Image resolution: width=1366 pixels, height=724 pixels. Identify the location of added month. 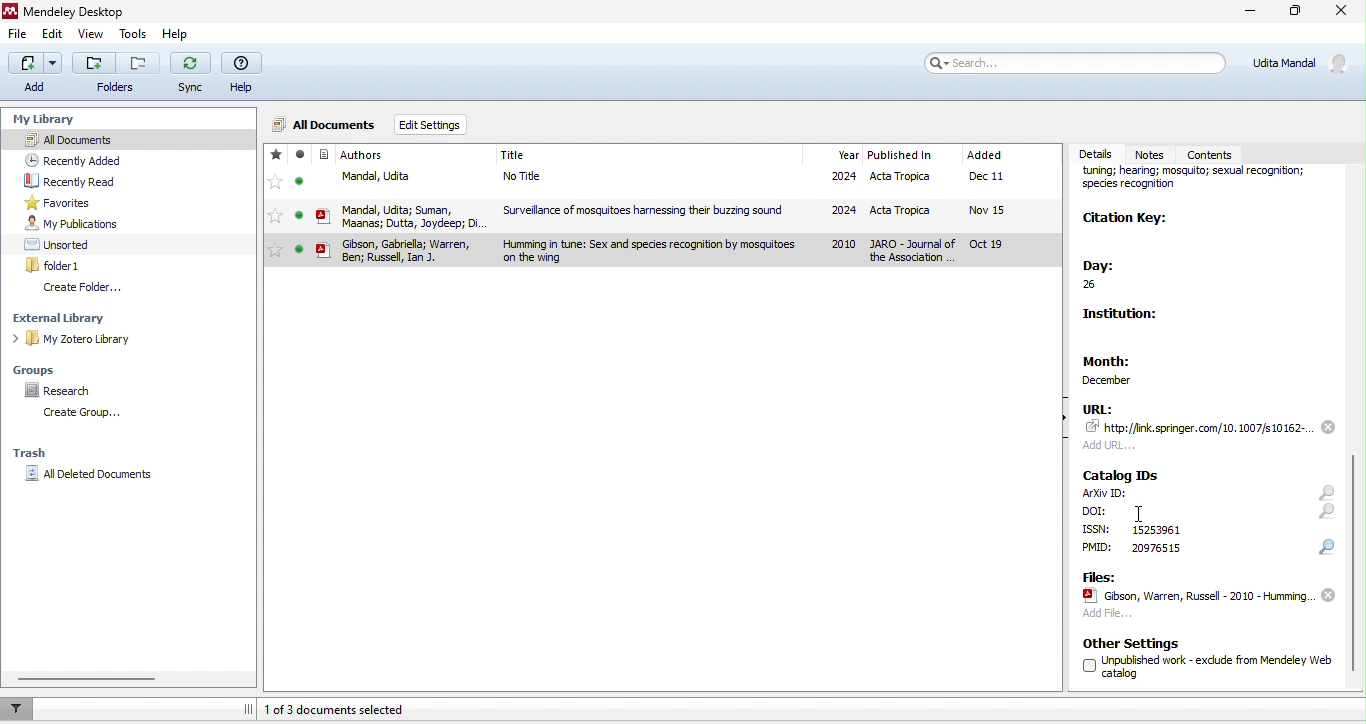
(984, 155).